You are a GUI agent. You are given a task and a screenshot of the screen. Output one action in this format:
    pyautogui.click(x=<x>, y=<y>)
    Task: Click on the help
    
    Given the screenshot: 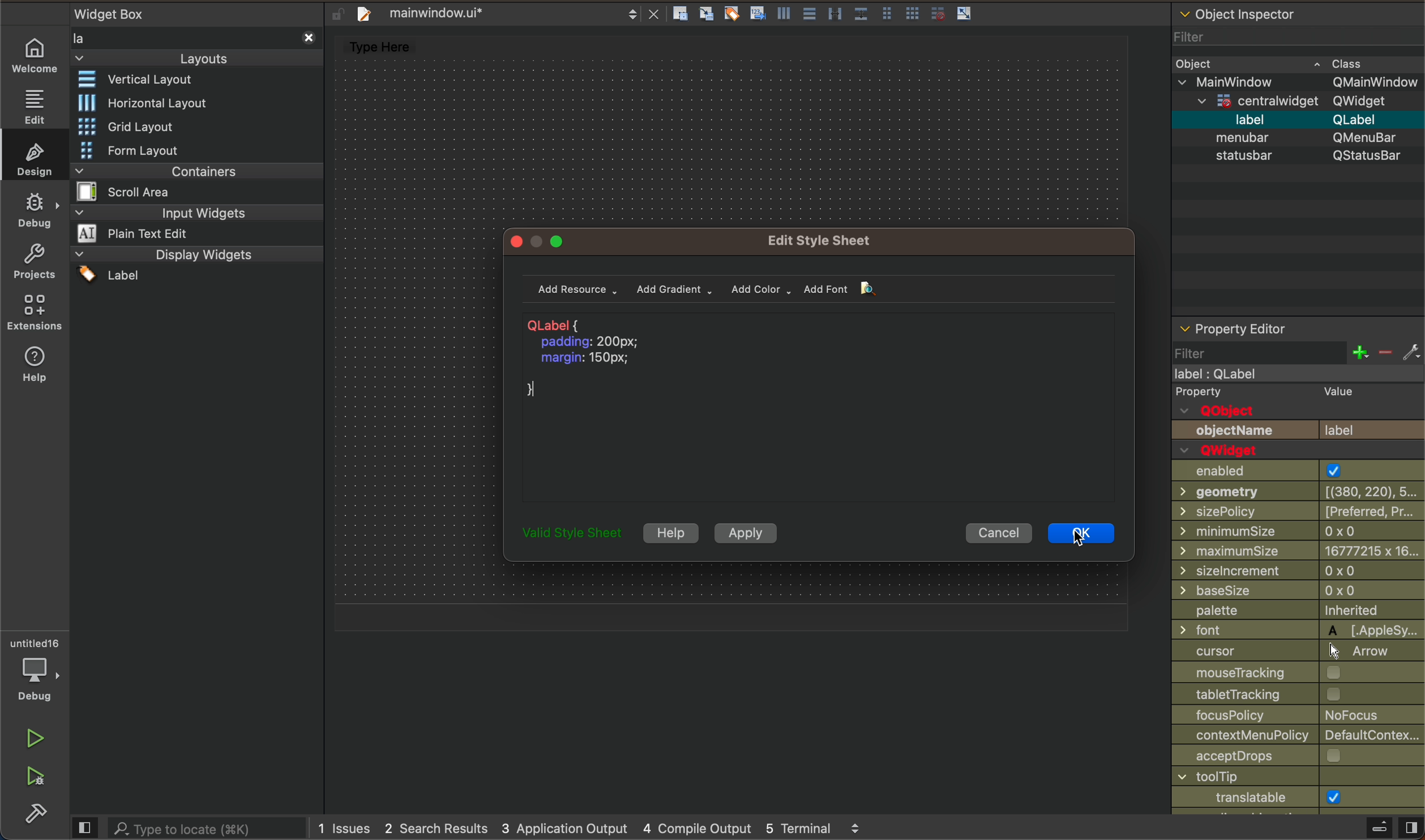 What is the action you would take?
    pyautogui.click(x=670, y=532)
    